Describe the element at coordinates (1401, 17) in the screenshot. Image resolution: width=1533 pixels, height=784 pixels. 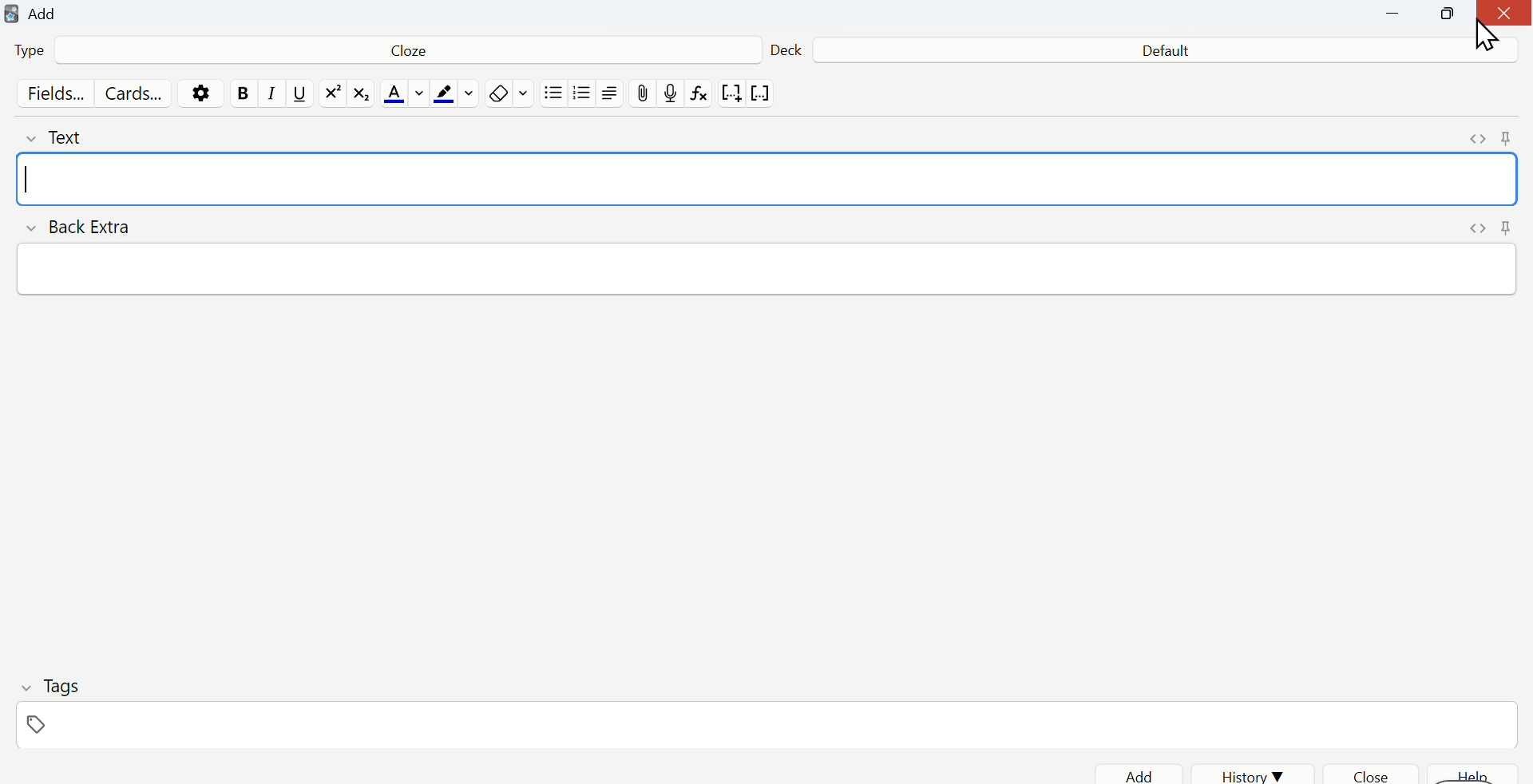
I see `Minimize` at that location.